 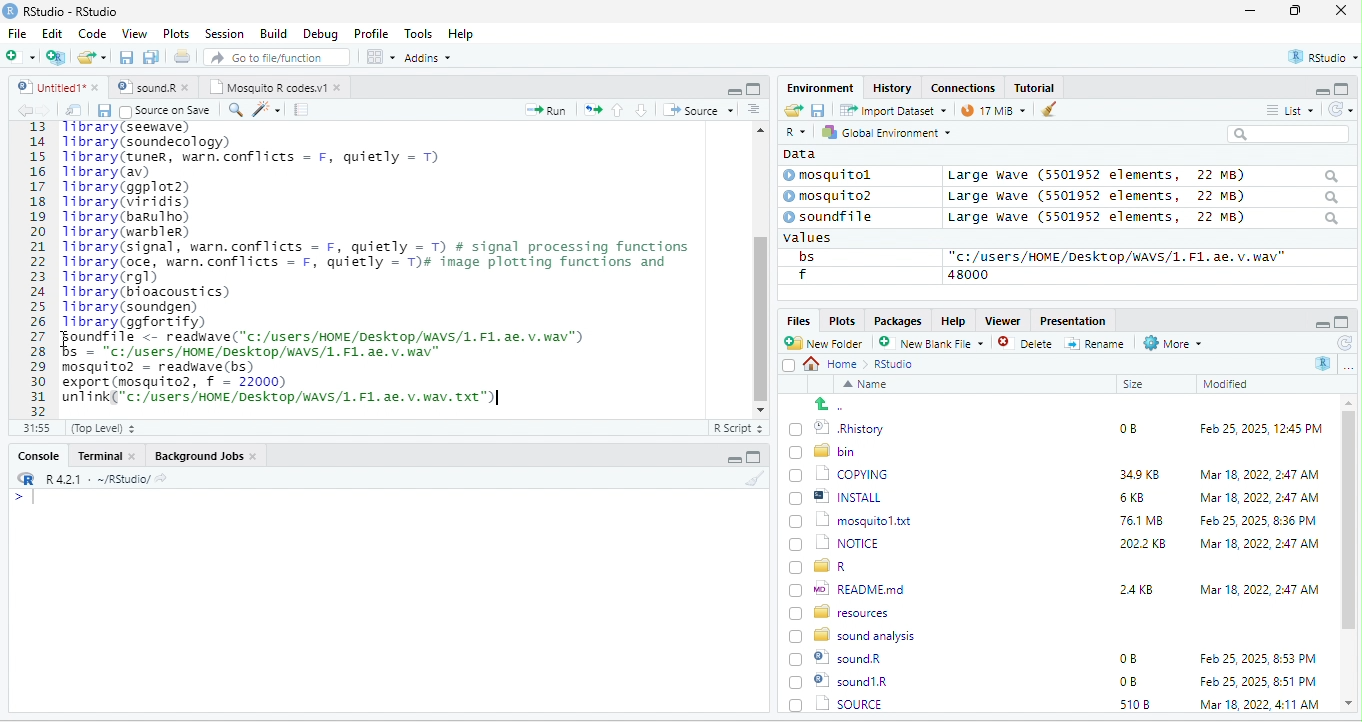 I want to click on © Untitied1* », so click(x=54, y=87).